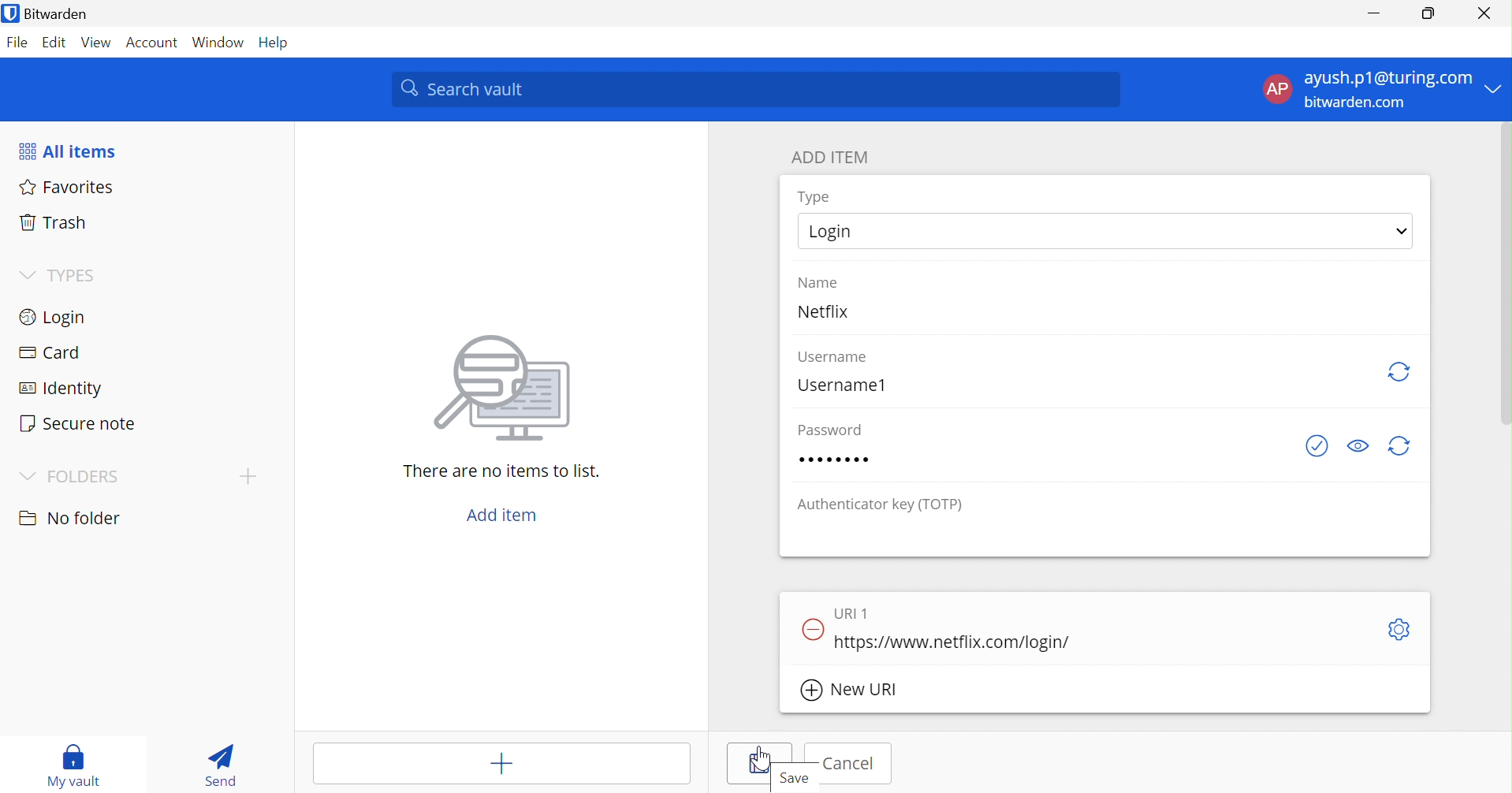 The width and height of the screenshot is (1512, 793). I want to click on Close, so click(1484, 13).